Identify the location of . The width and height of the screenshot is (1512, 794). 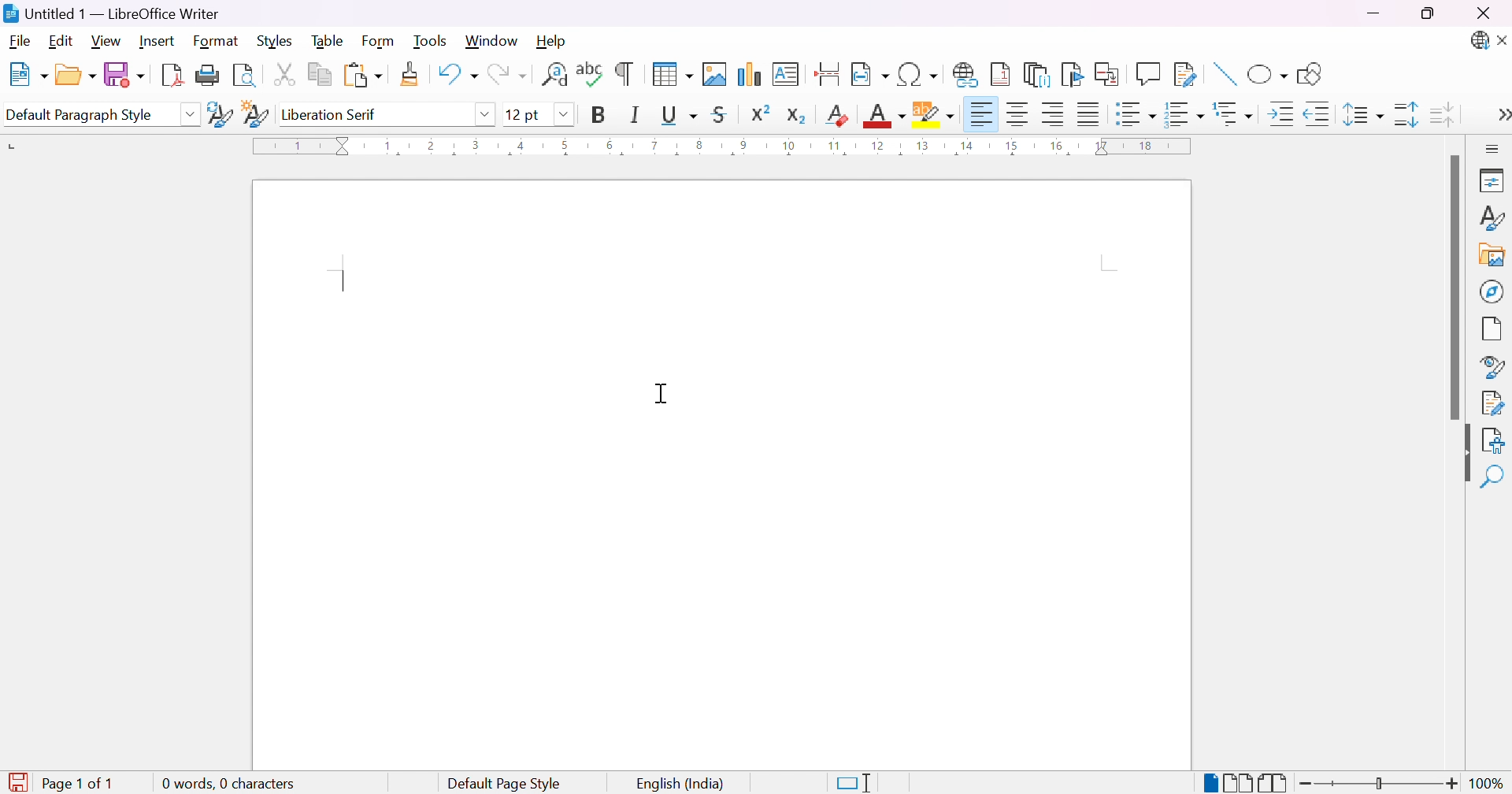
(409, 74).